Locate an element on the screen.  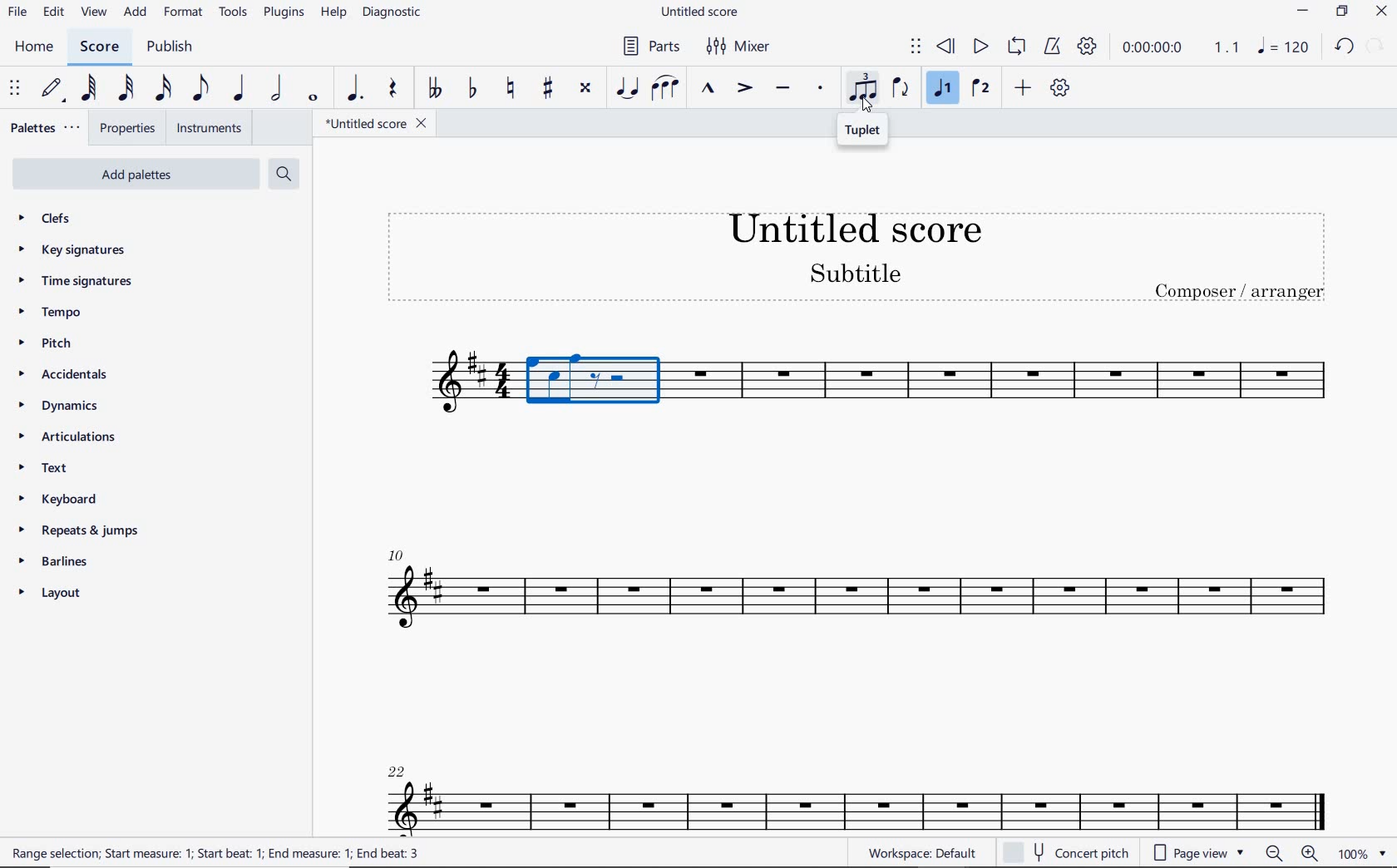
LAYOUT is located at coordinates (52, 594).